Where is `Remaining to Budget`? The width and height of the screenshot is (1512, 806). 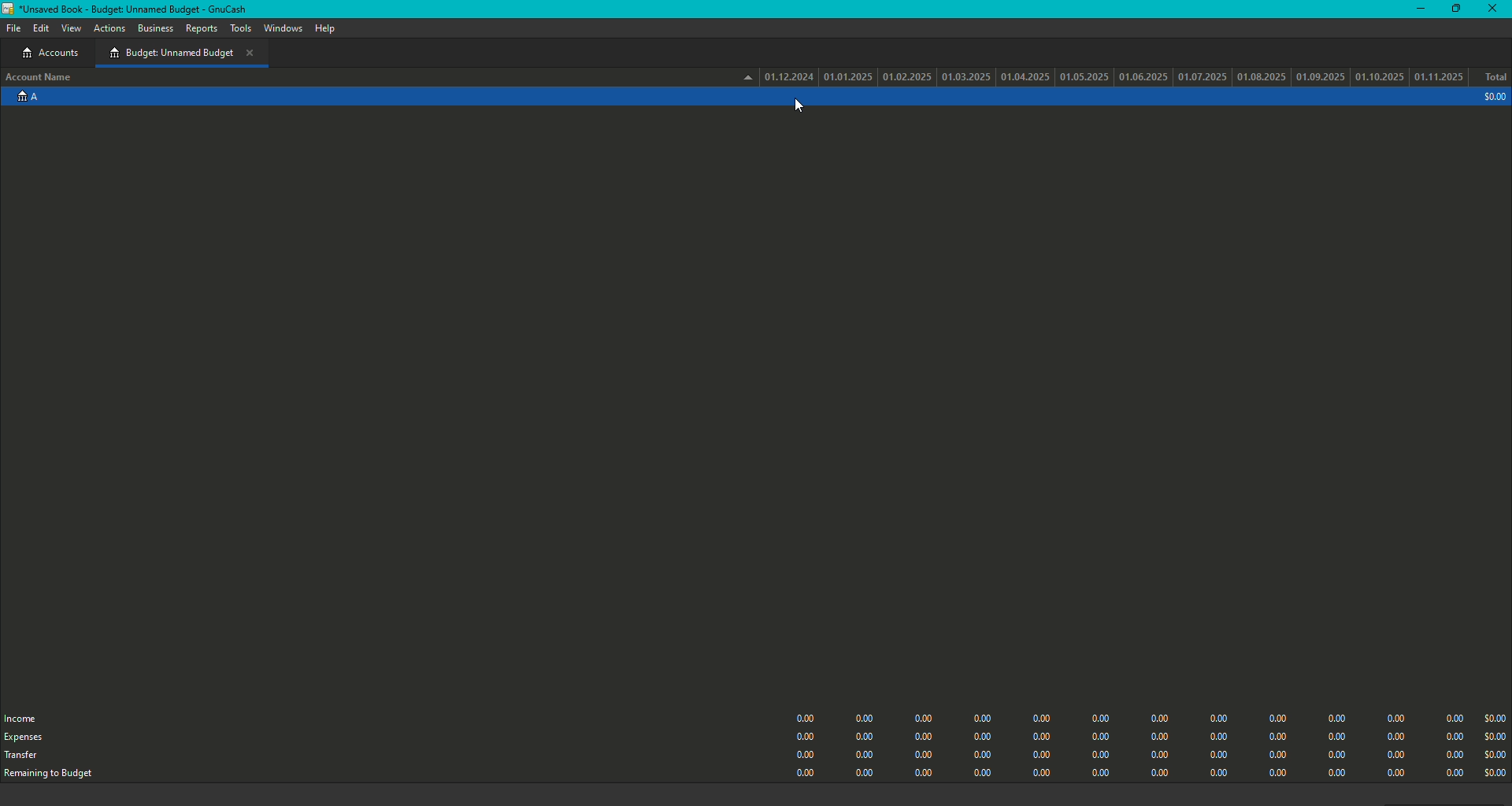
Remaining to Budget is located at coordinates (57, 775).